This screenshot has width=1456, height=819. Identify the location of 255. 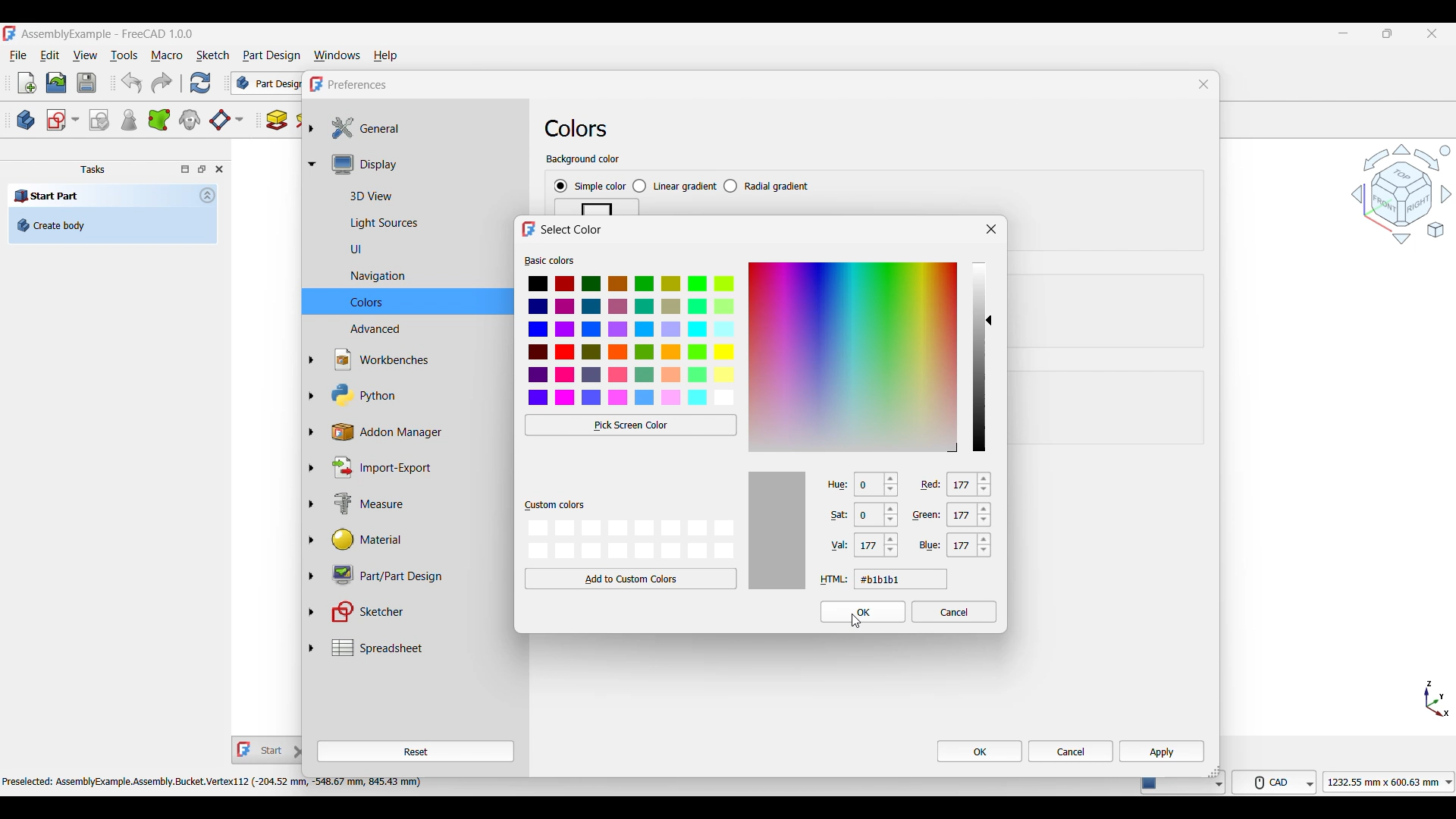
(971, 547).